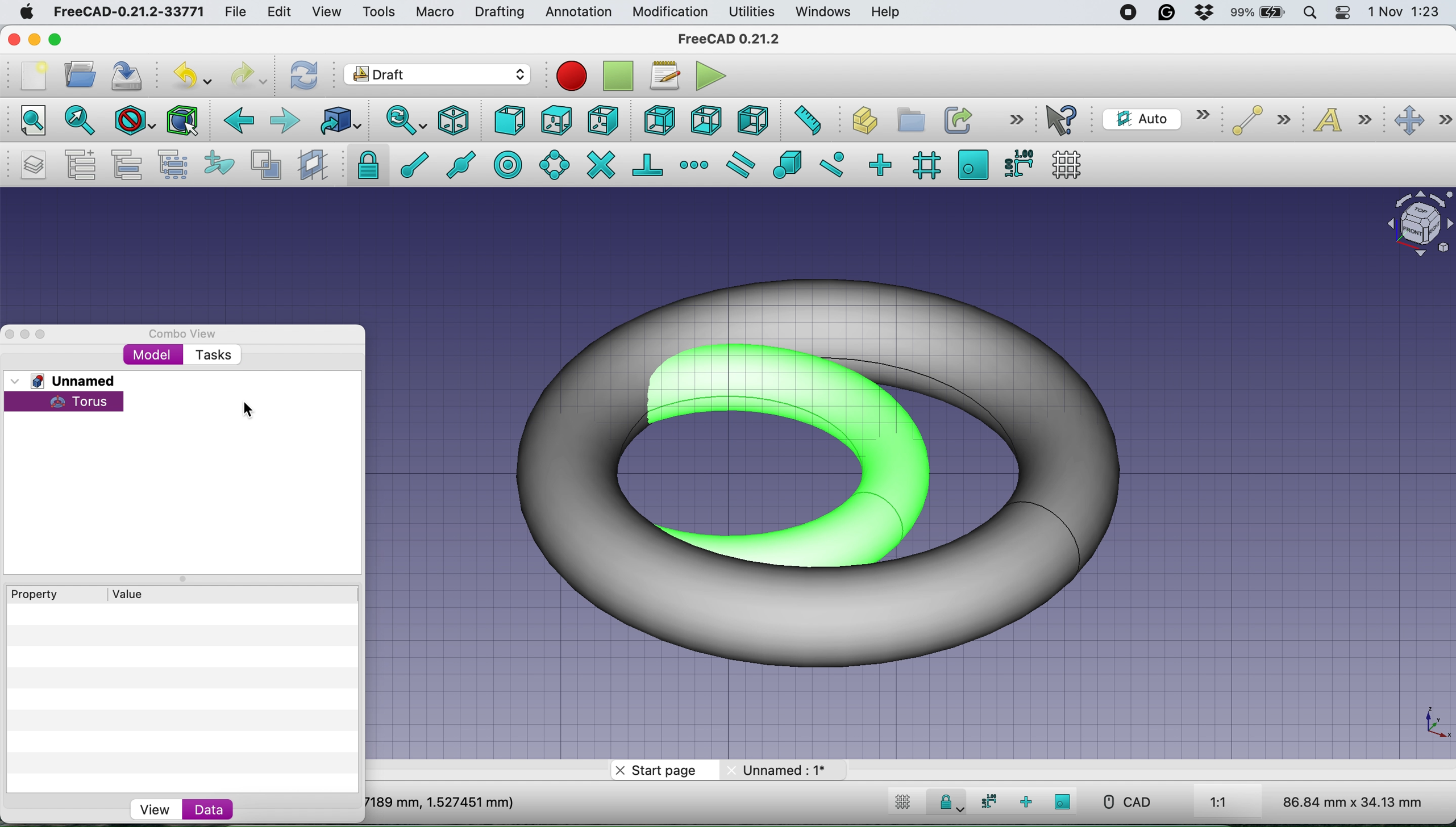 This screenshot has height=827, width=1456. I want to click on front, so click(509, 122).